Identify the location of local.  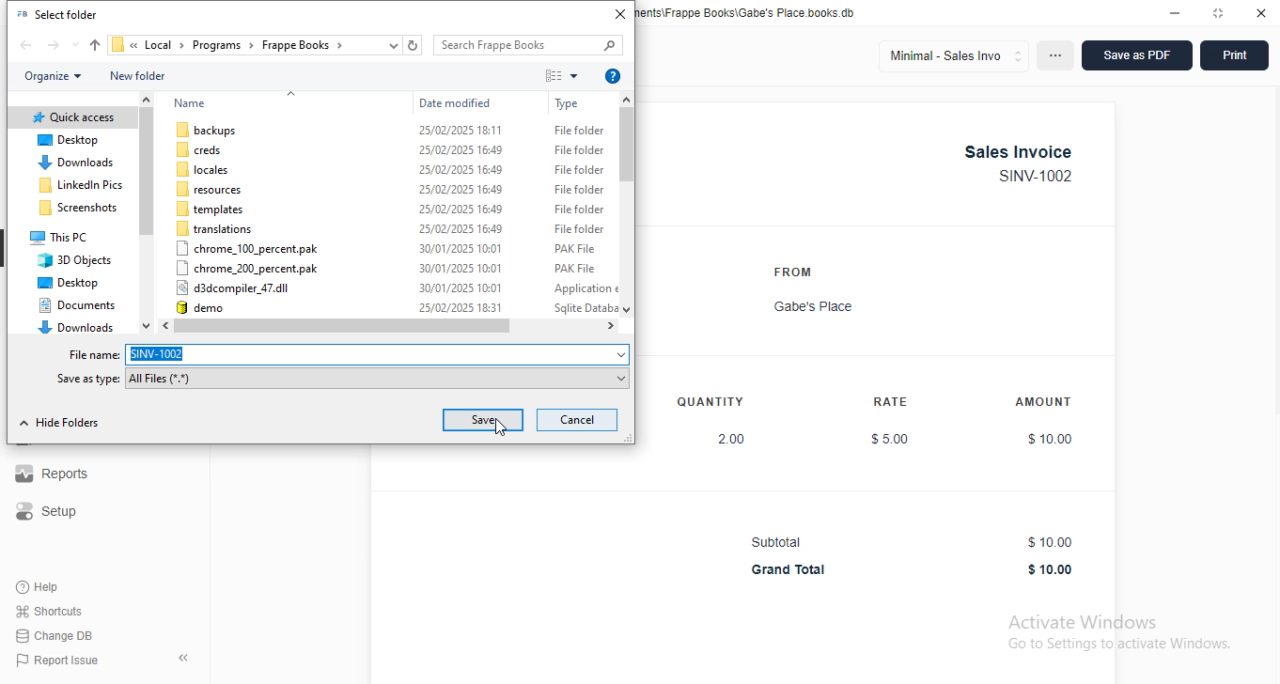
(159, 45).